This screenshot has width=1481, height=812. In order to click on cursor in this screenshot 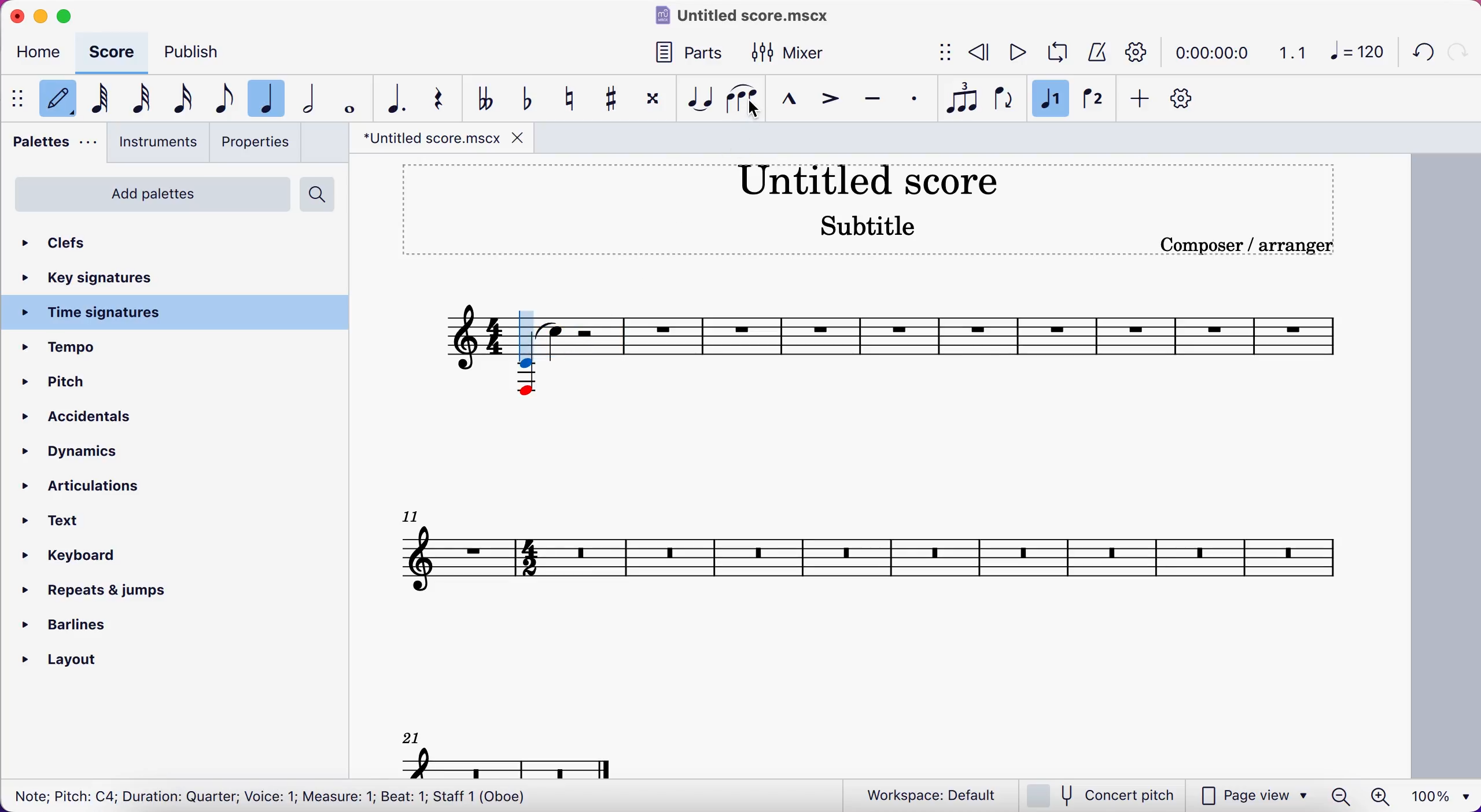, I will do `click(529, 340)`.